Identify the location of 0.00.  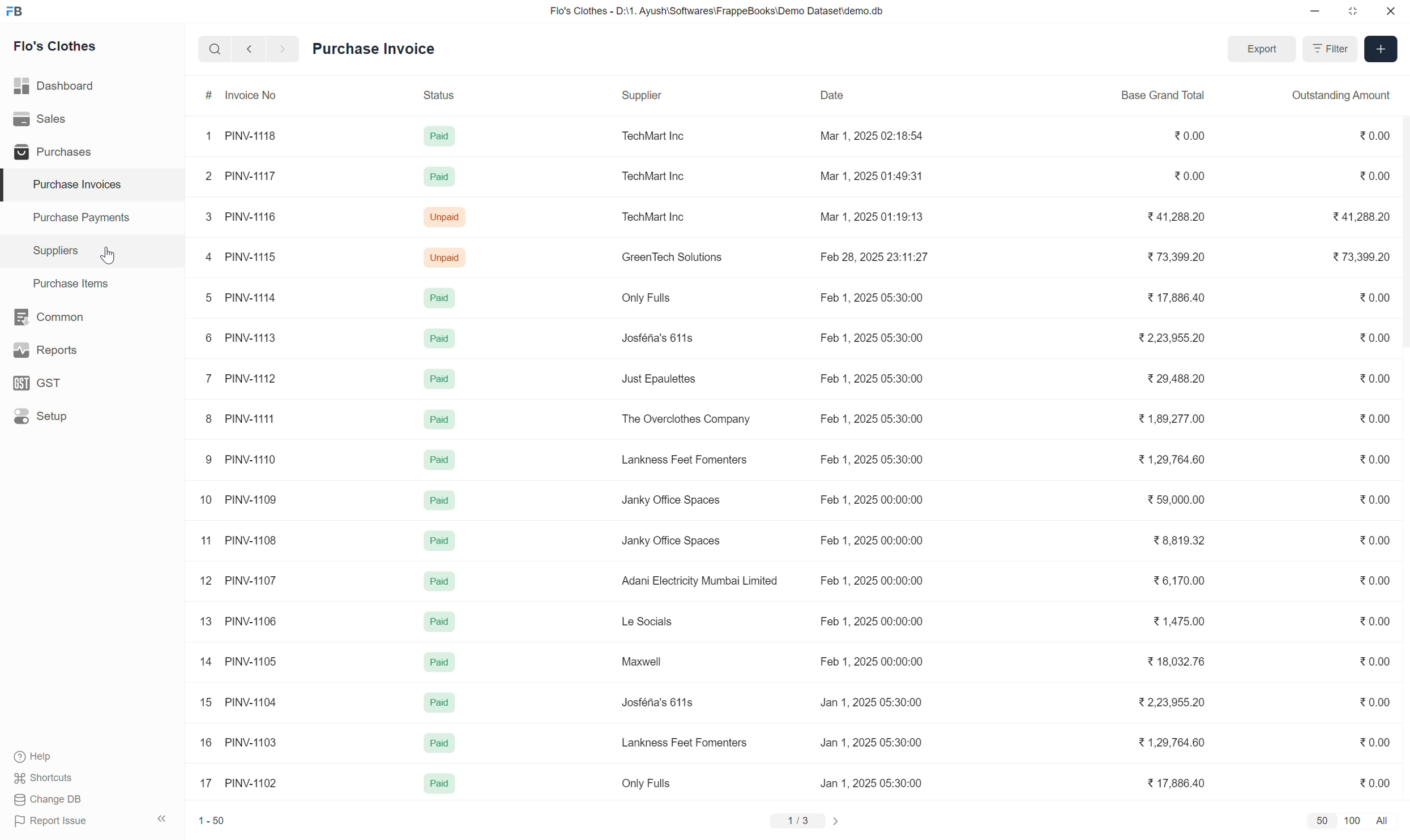
(1379, 782).